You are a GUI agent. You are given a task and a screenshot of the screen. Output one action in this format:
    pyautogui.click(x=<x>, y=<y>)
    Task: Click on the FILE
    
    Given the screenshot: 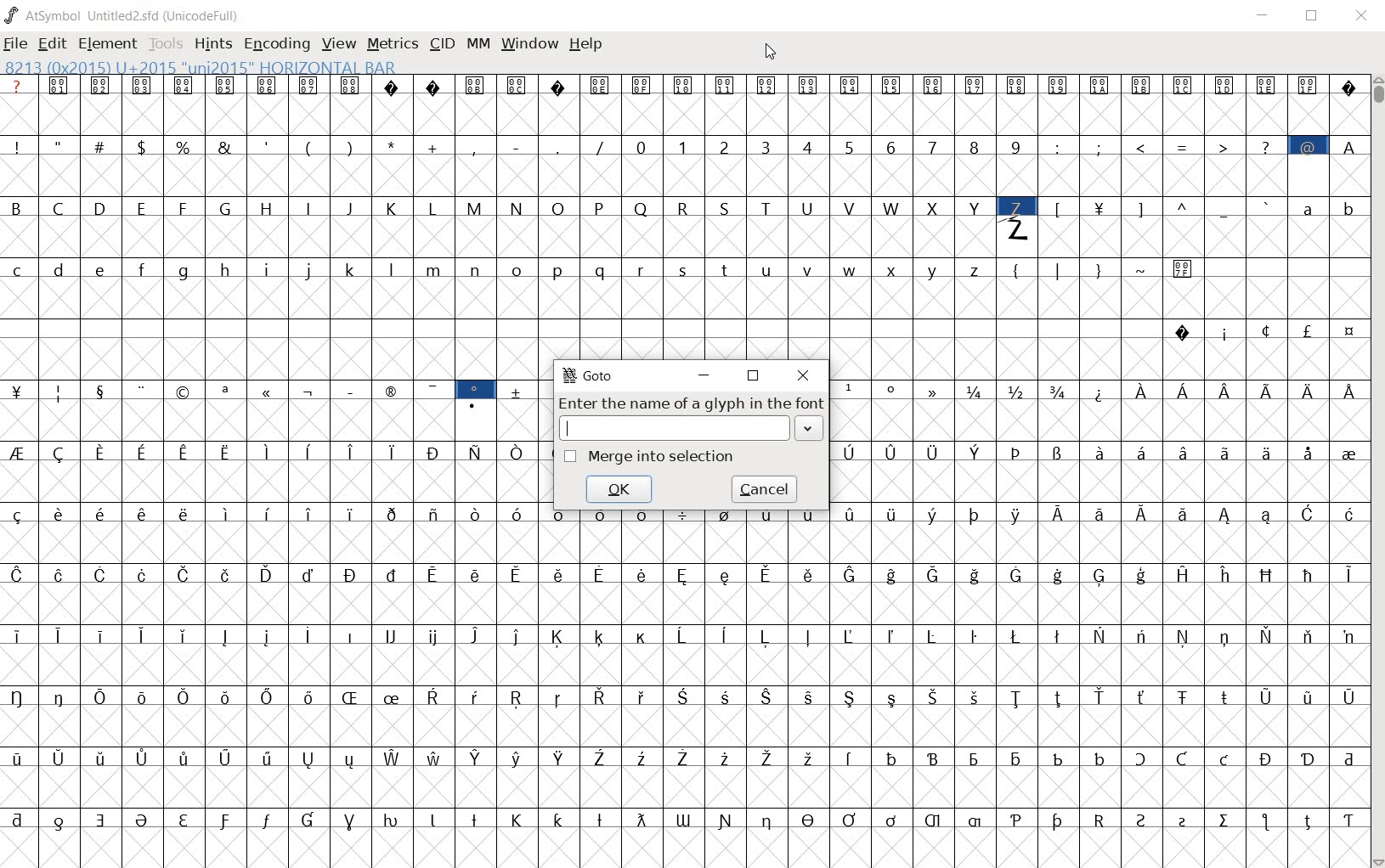 What is the action you would take?
    pyautogui.click(x=18, y=42)
    